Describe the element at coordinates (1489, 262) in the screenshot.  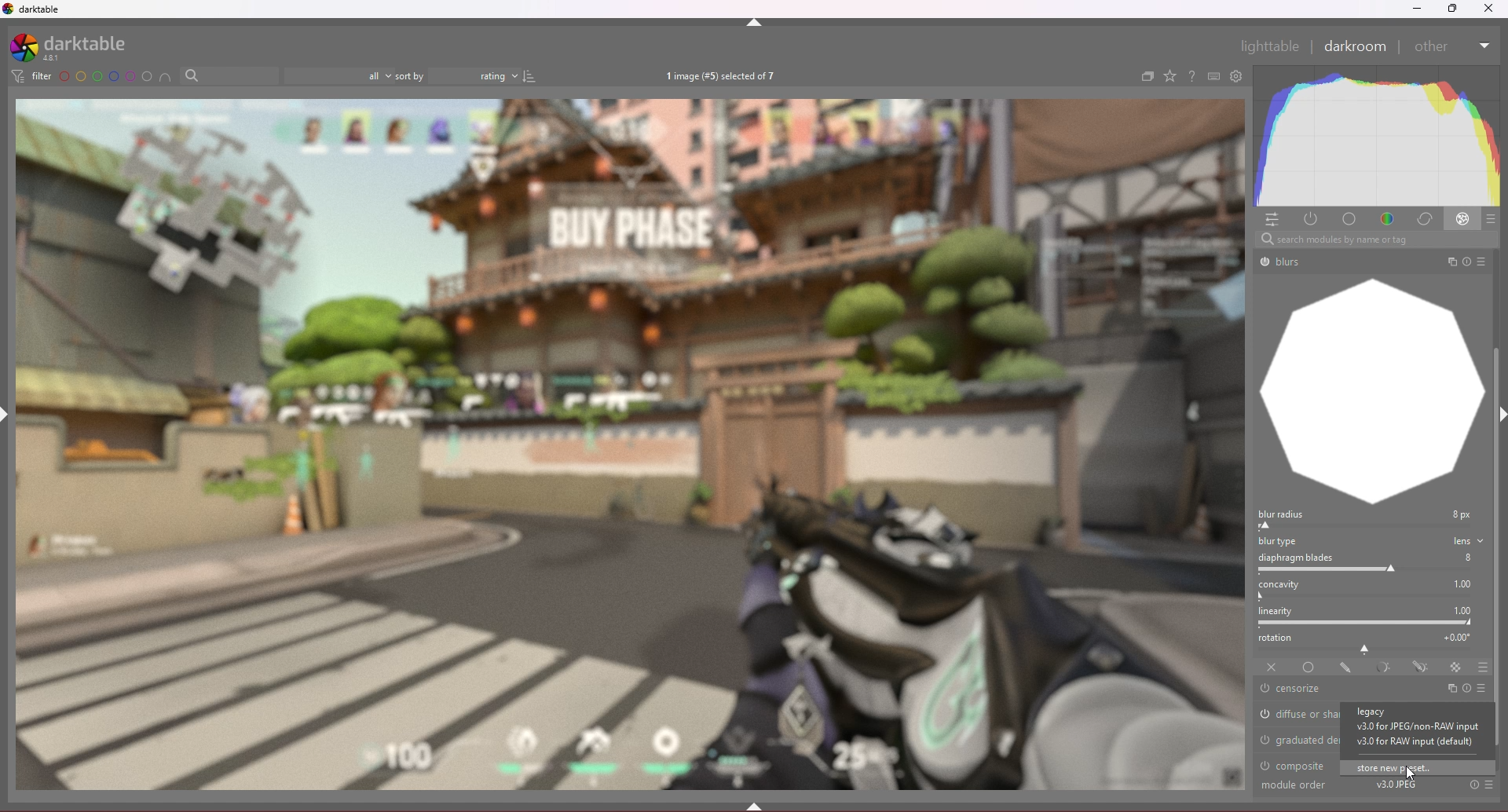
I see `` at that location.